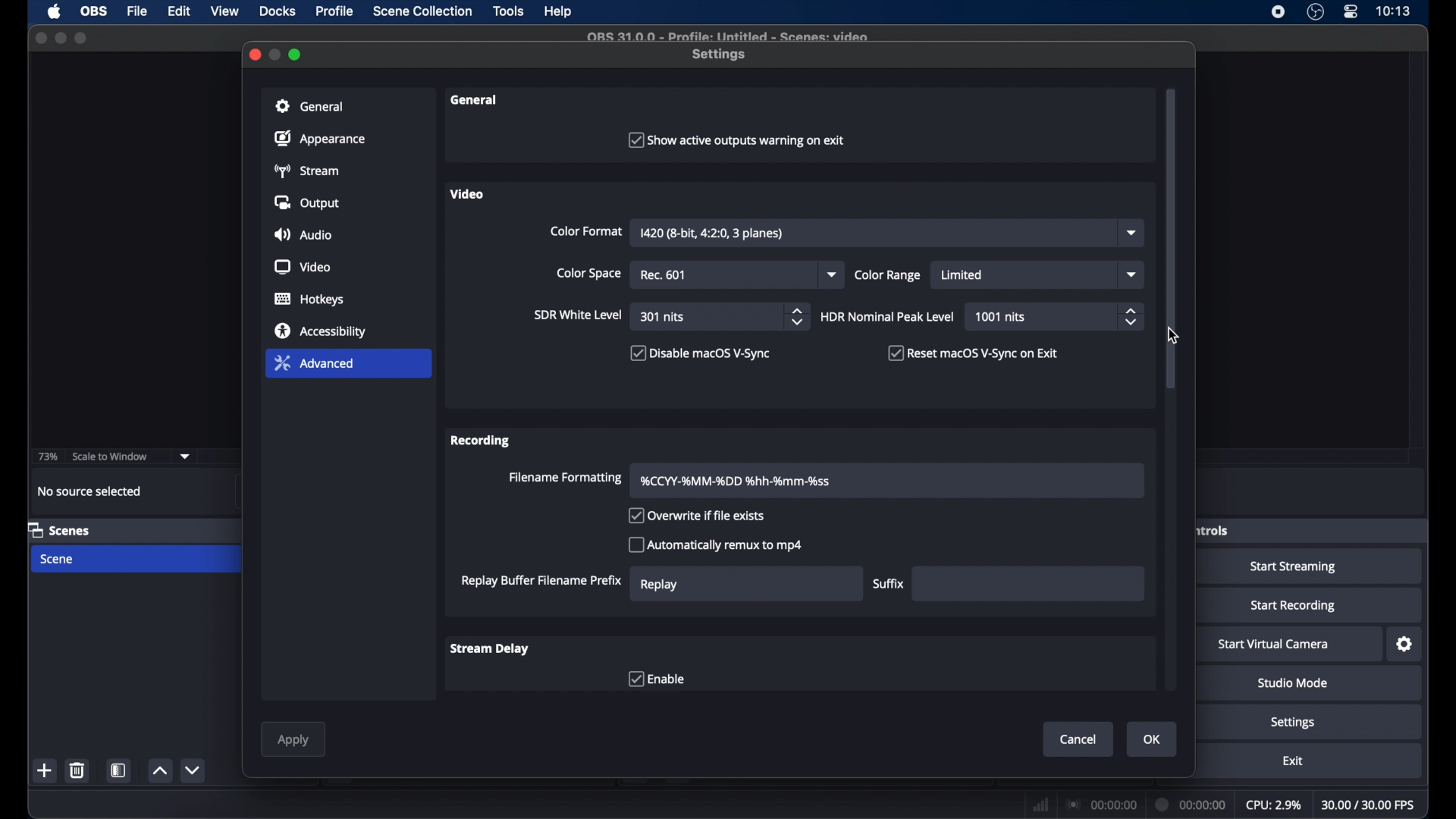 The image size is (1456, 819). I want to click on checkbox , so click(697, 516).